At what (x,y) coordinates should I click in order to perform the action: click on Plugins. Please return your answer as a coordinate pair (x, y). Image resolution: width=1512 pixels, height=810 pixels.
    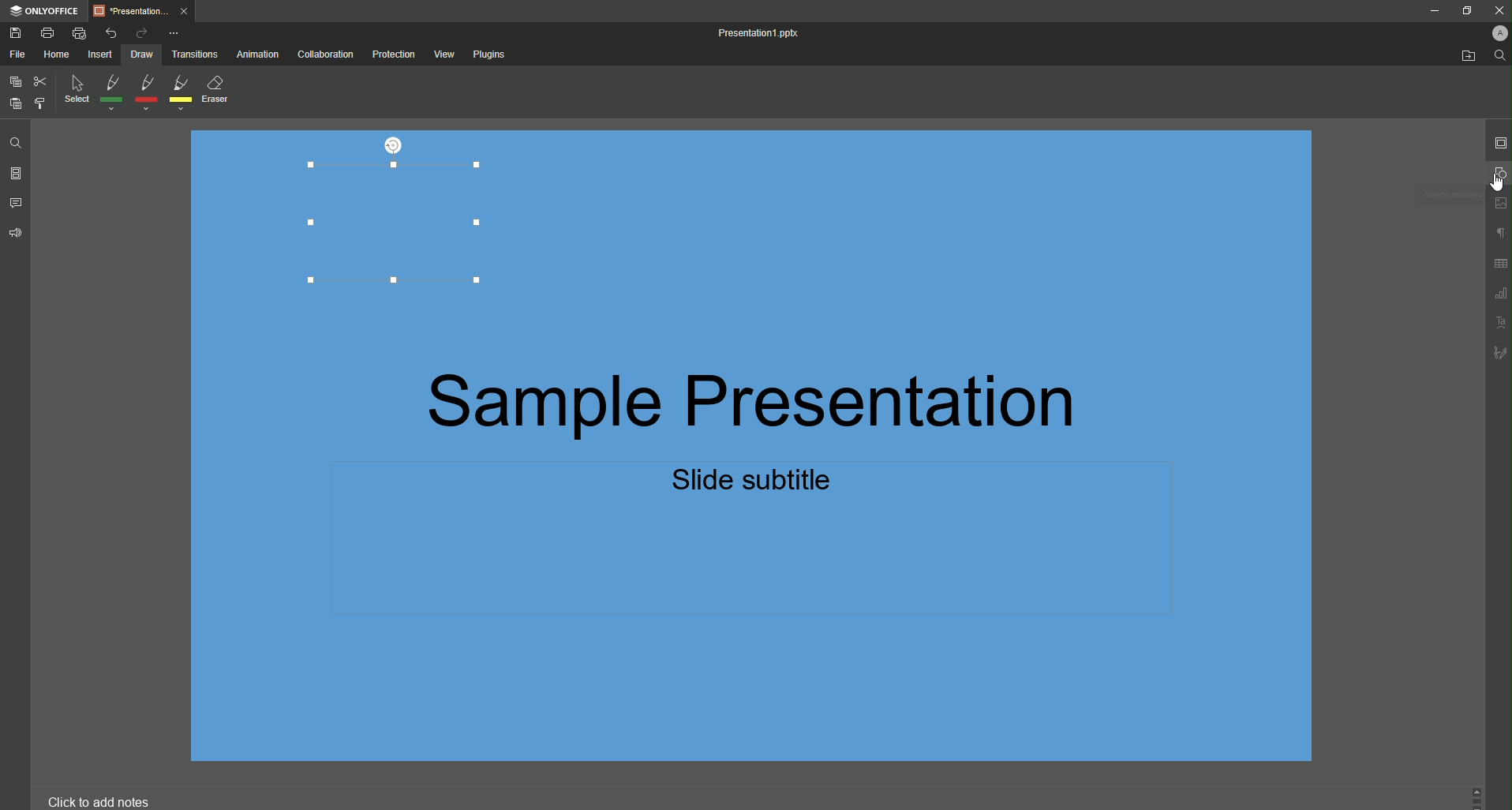
    Looking at the image, I should click on (492, 55).